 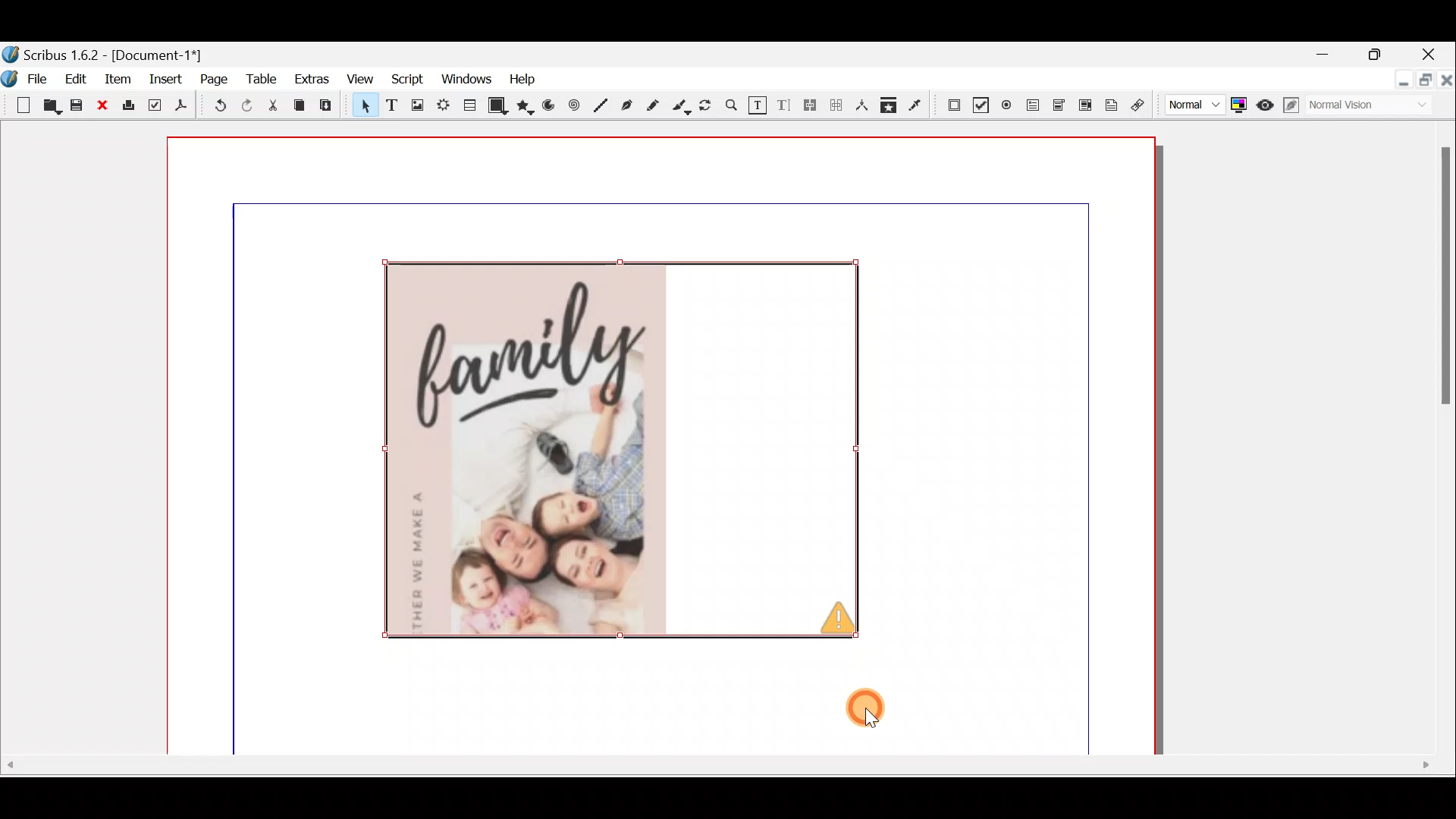 What do you see at coordinates (1009, 105) in the screenshot?
I see `PDF radio button` at bounding box center [1009, 105].